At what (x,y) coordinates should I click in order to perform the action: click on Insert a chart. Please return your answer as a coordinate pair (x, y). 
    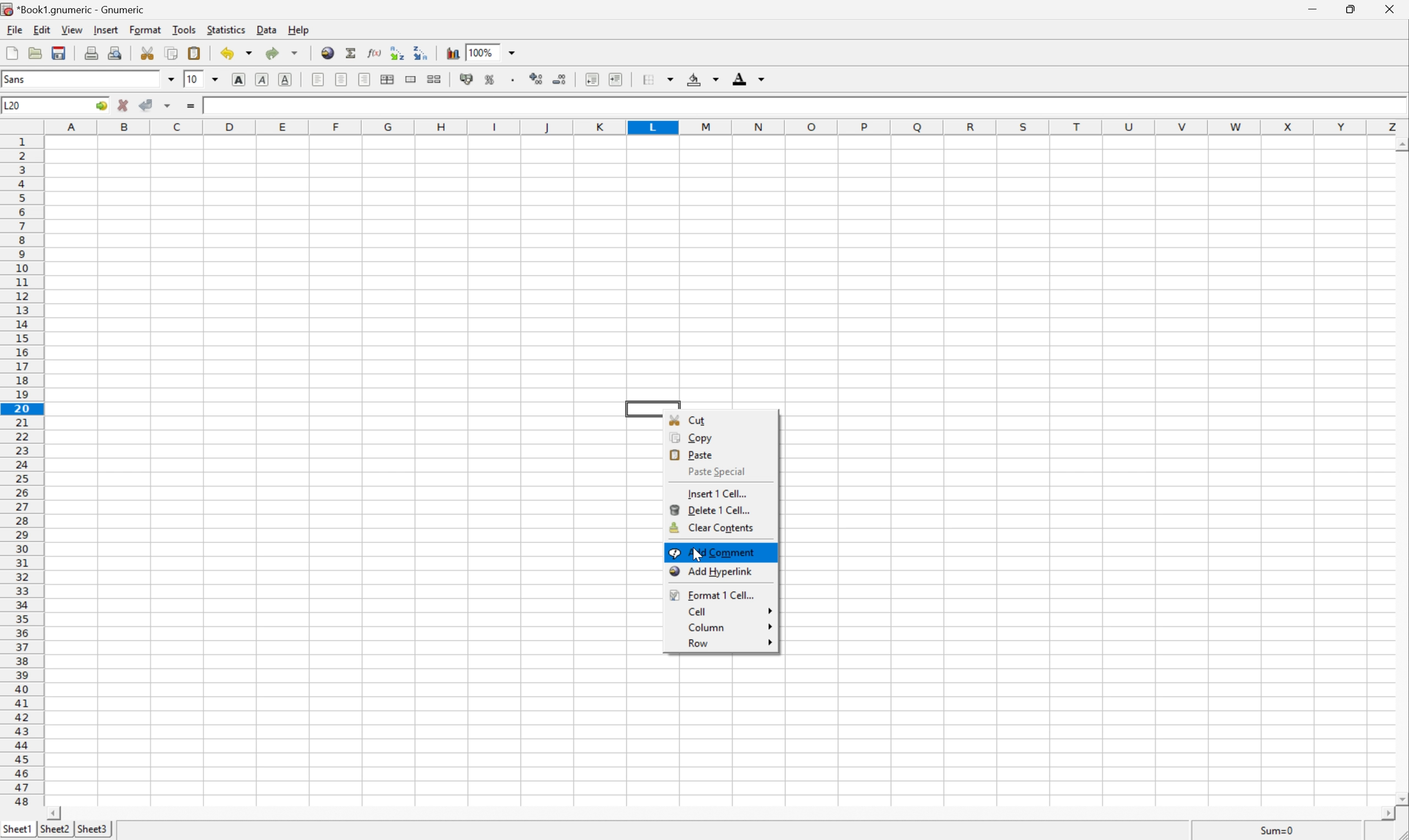
    Looking at the image, I should click on (452, 54).